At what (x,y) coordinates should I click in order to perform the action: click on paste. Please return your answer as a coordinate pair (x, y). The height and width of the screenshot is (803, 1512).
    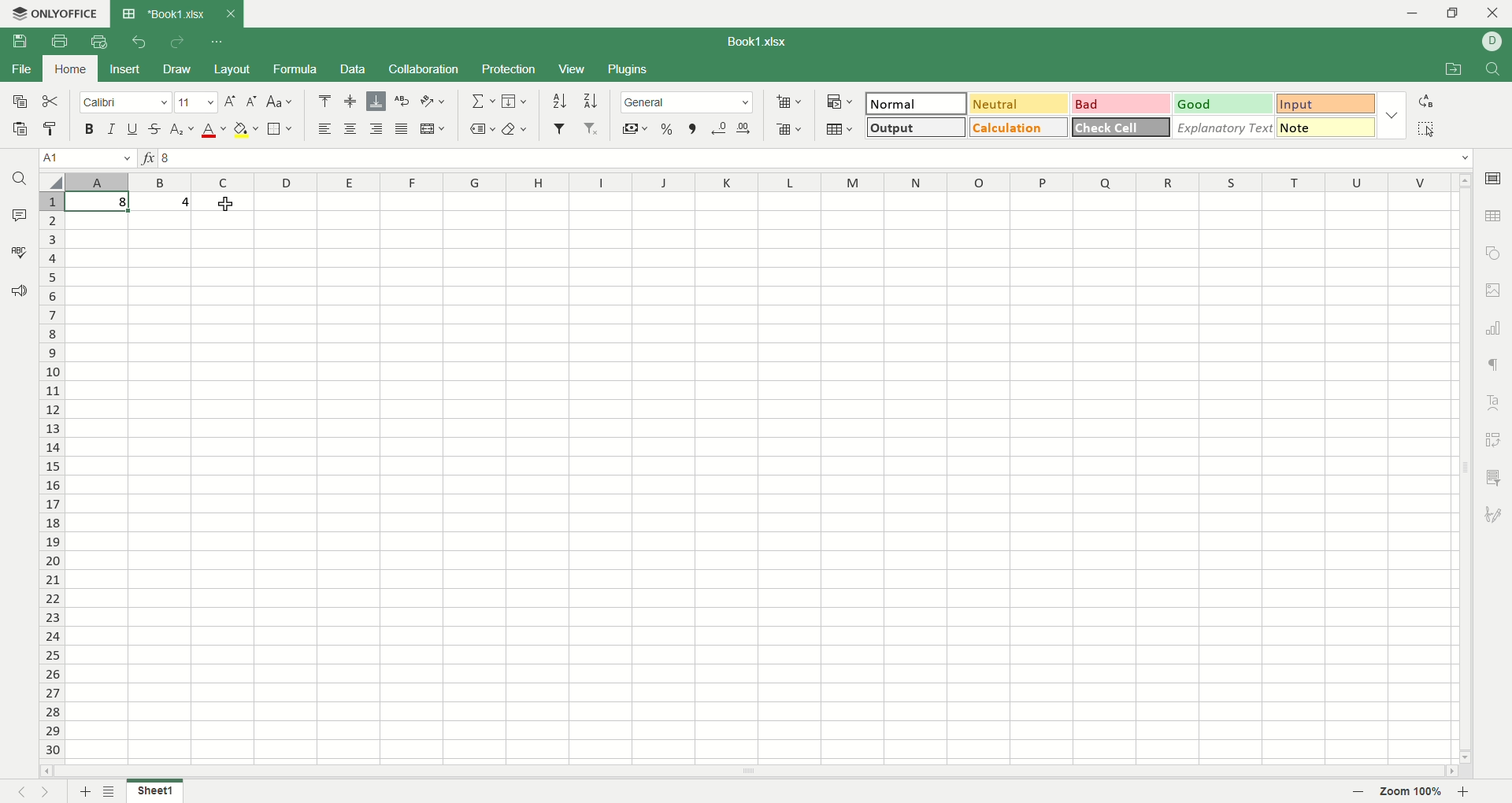
    Looking at the image, I should click on (20, 128).